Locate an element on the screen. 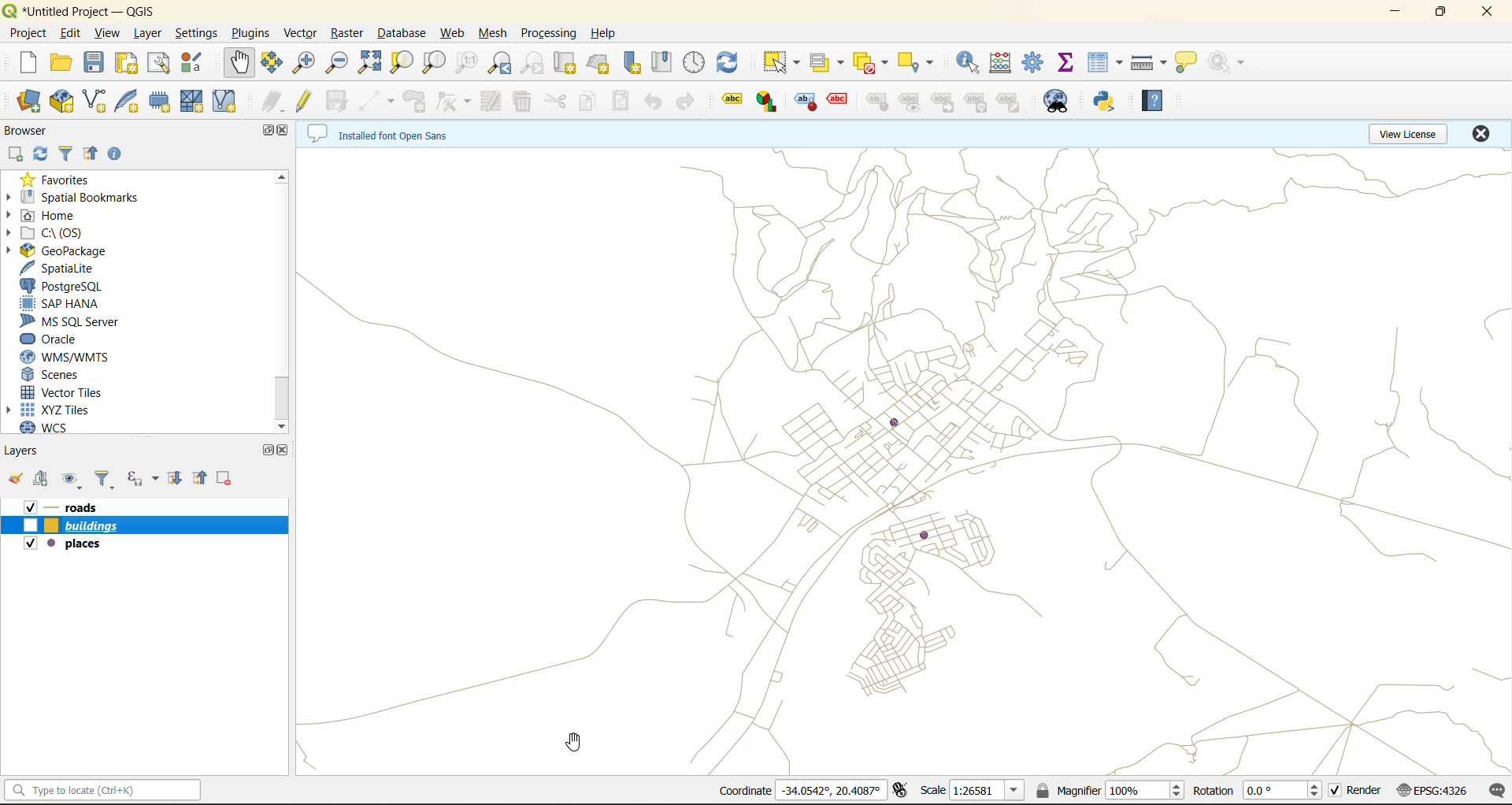 Image resolution: width=1512 pixels, height=805 pixels. show layout is located at coordinates (161, 65).